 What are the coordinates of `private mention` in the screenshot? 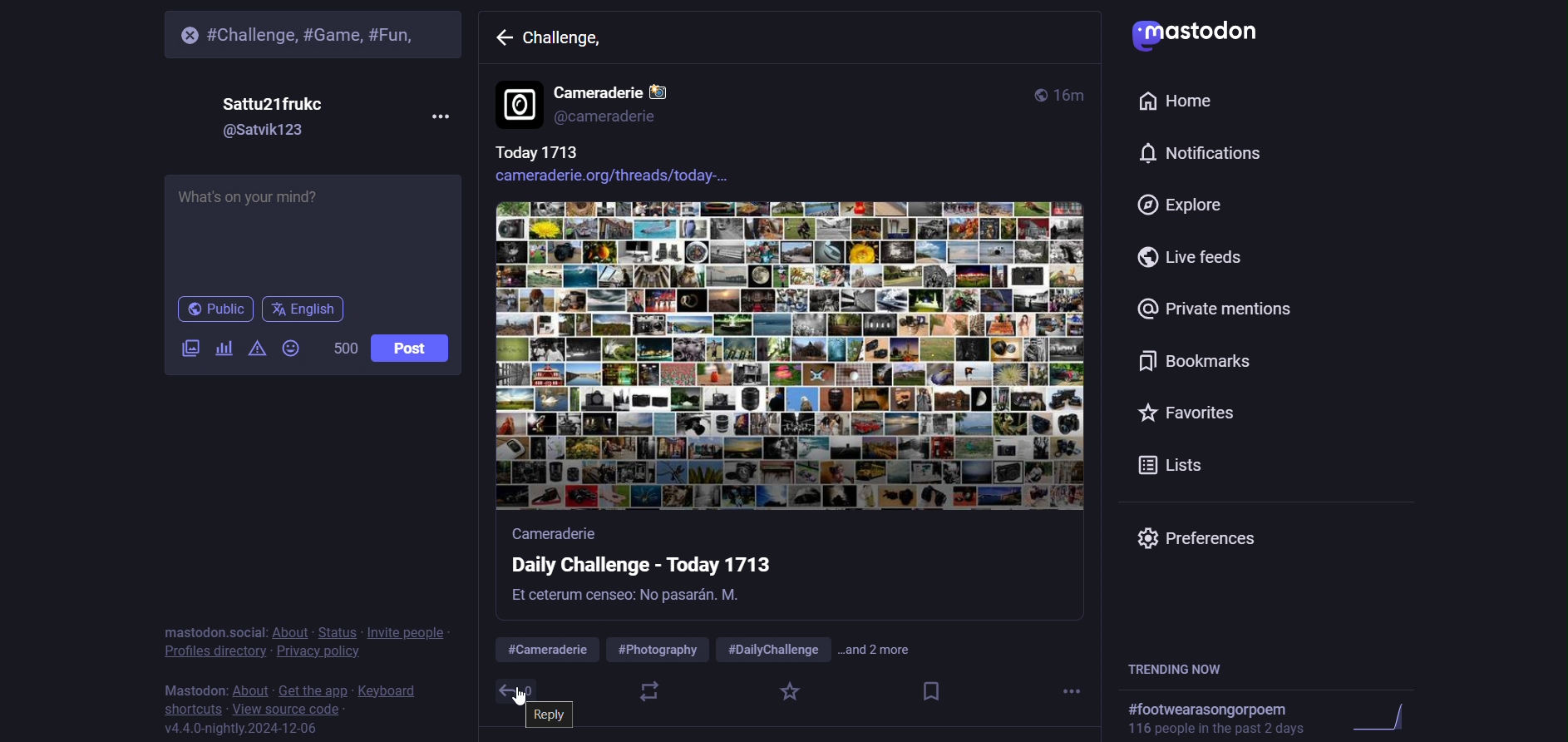 It's located at (1215, 309).